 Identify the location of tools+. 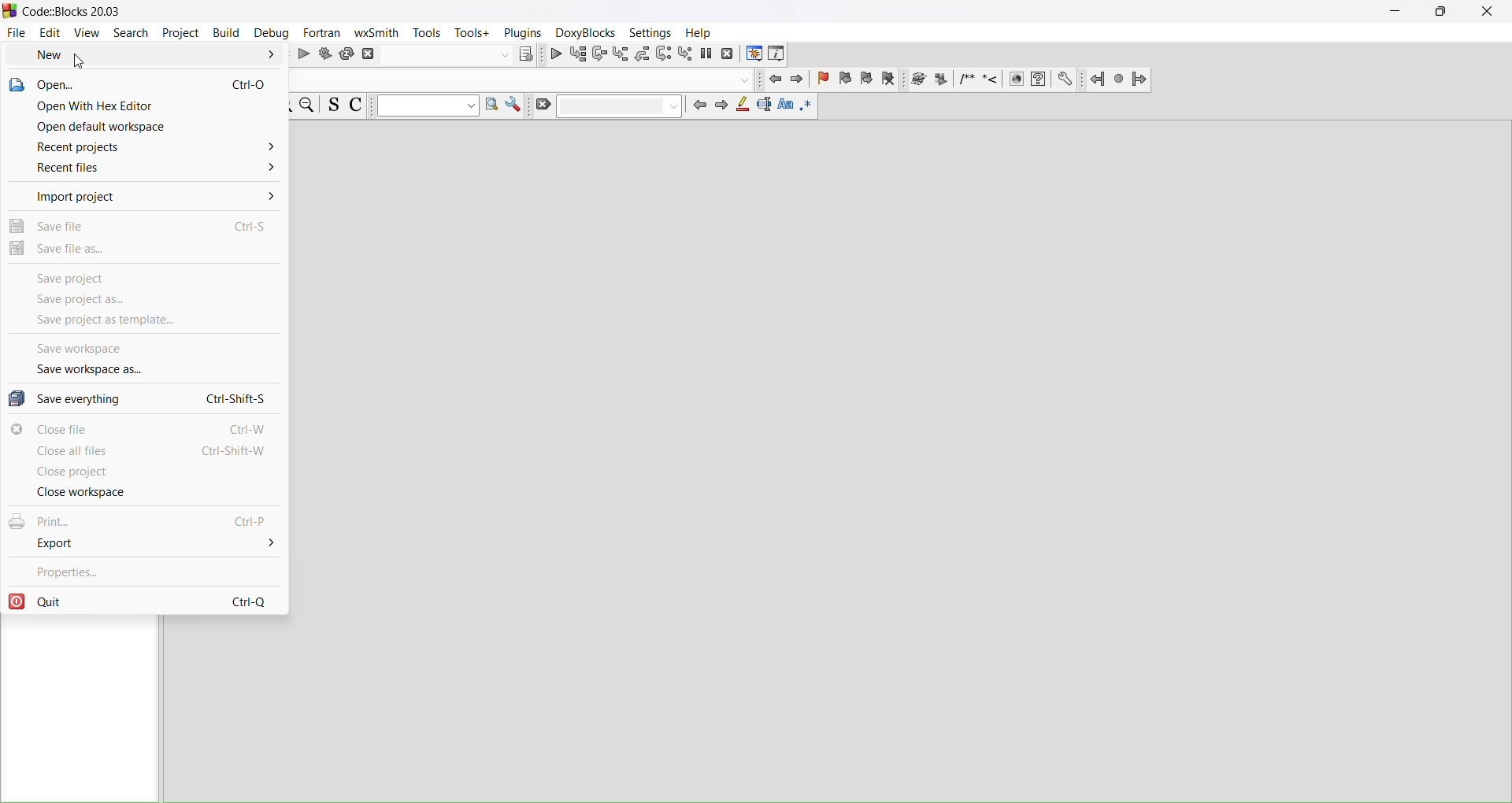
(472, 33).